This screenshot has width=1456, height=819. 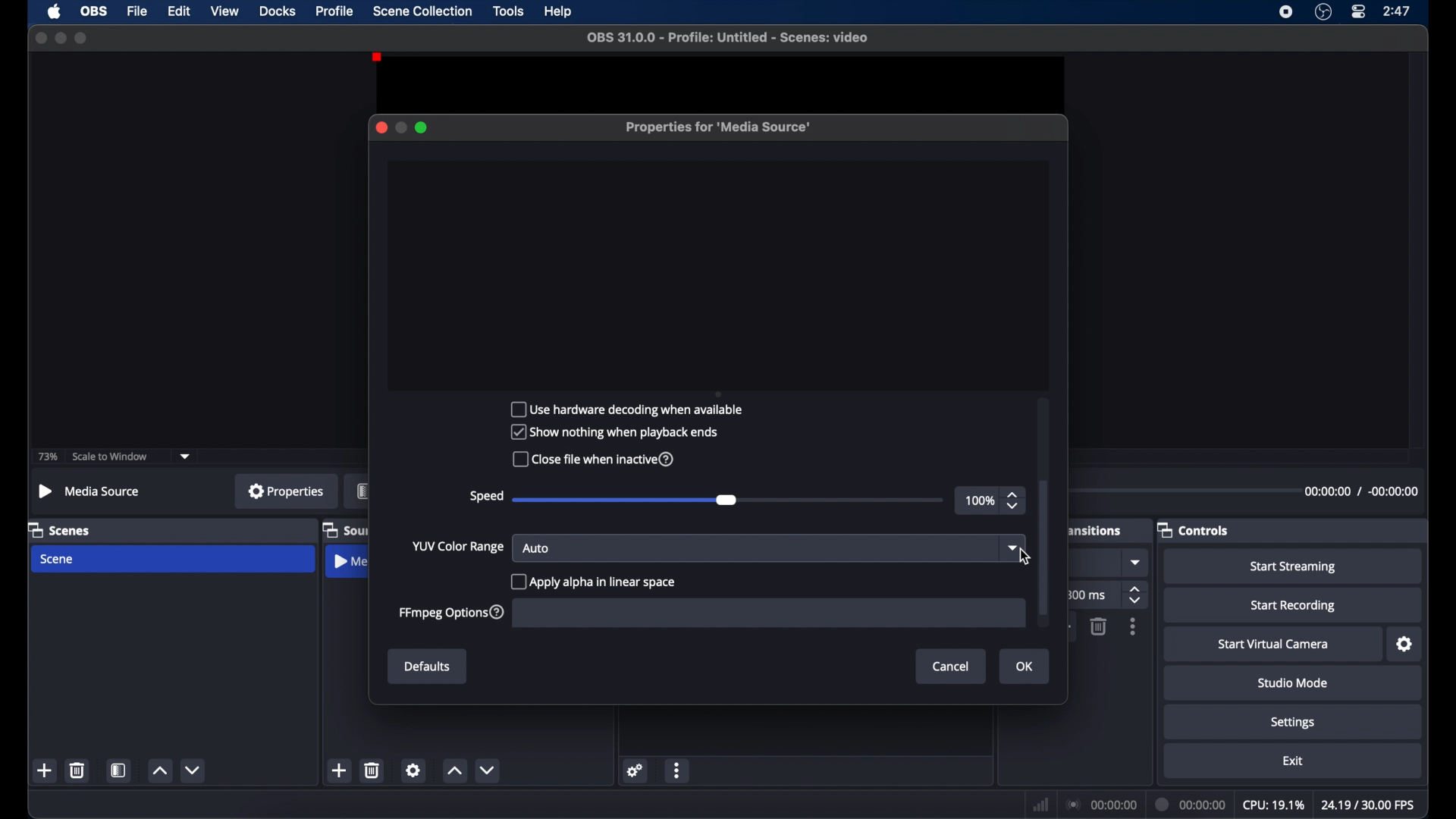 What do you see at coordinates (625, 500) in the screenshot?
I see `slider` at bounding box center [625, 500].